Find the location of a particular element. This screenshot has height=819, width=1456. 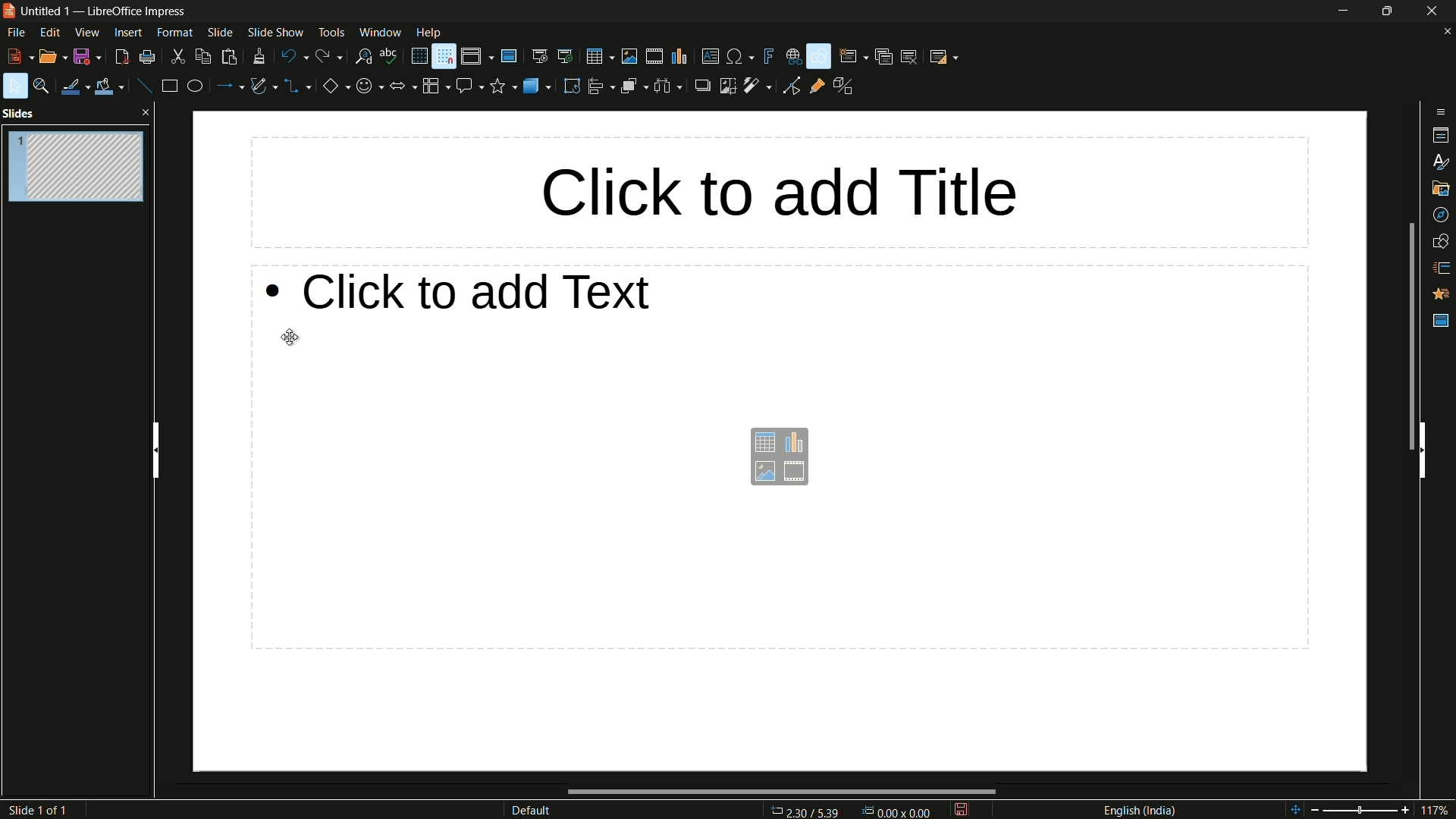

scroll bar is located at coordinates (1411, 337).